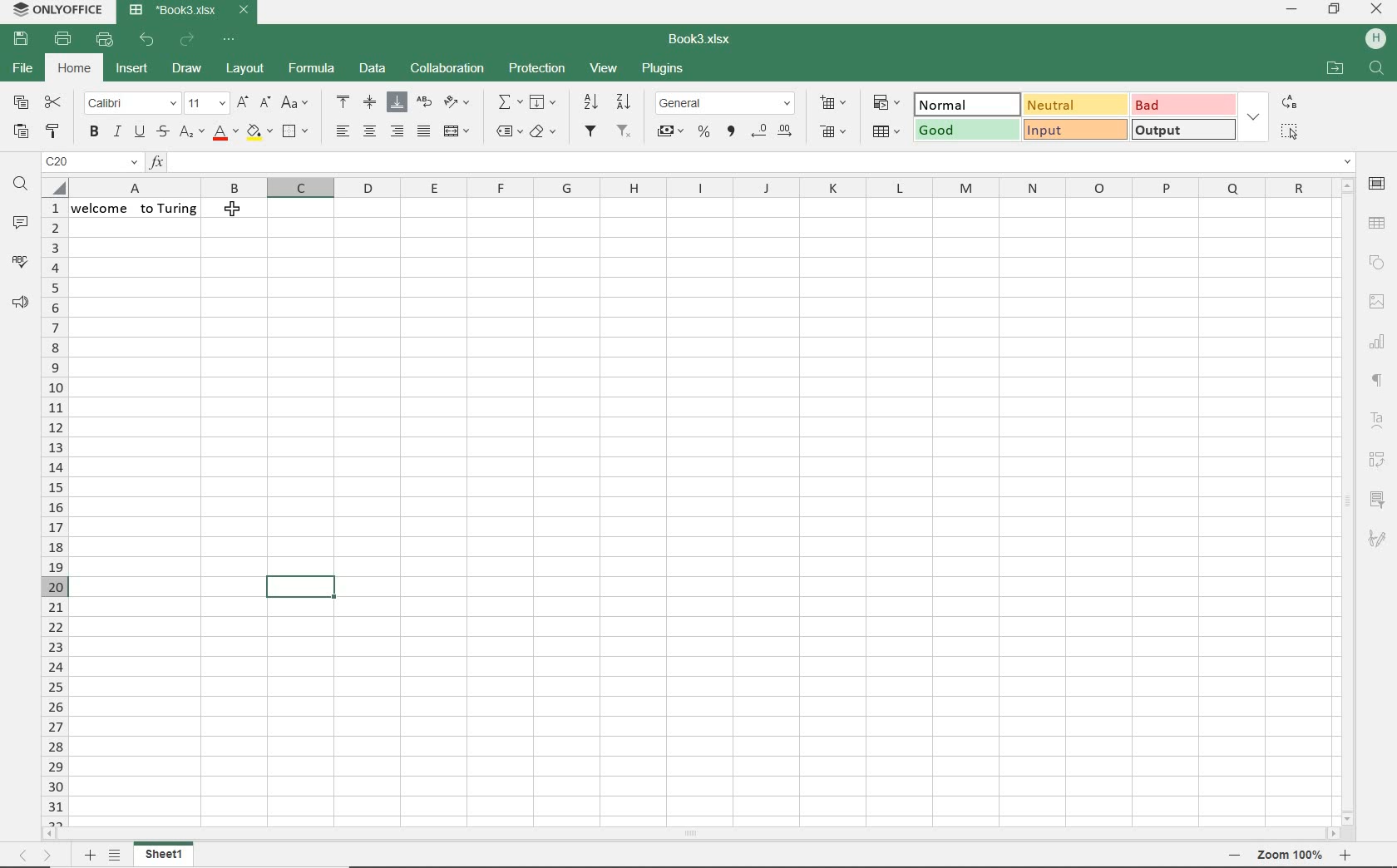 The image size is (1397, 868). What do you see at coordinates (399, 132) in the screenshot?
I see `align right` at bounding box center [399, 132].